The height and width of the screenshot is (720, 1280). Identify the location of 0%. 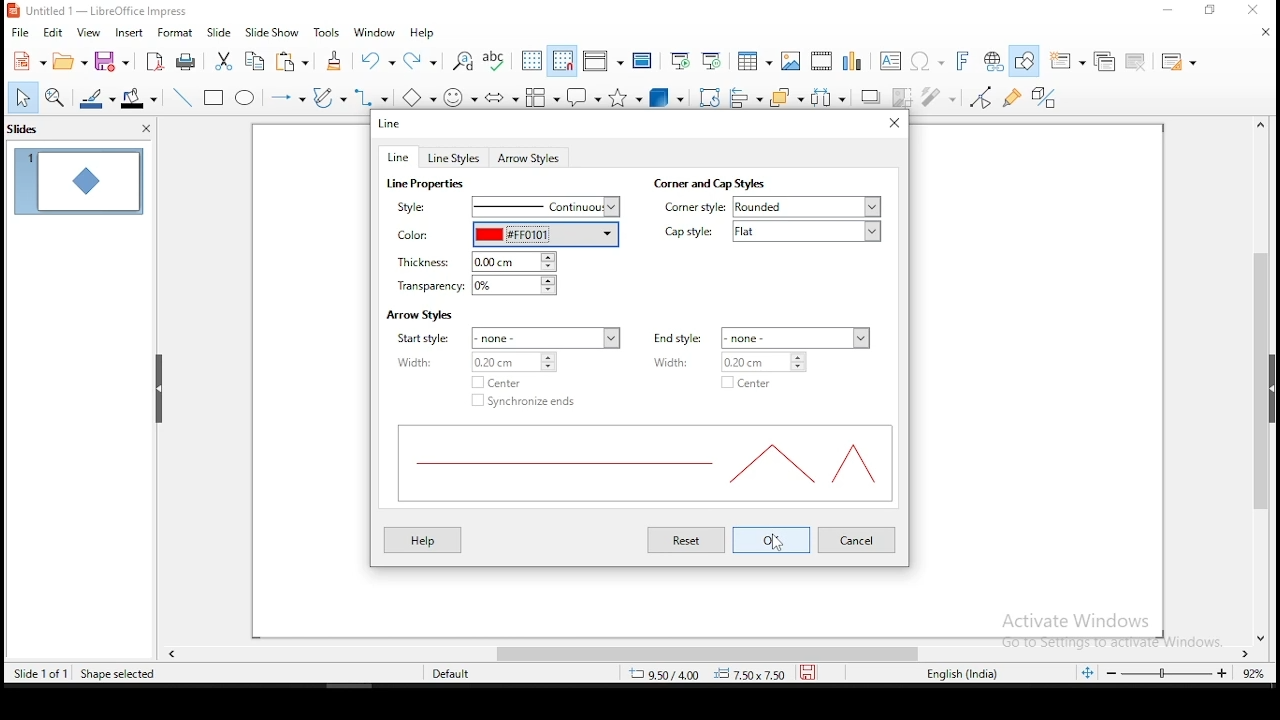
(524, 286).